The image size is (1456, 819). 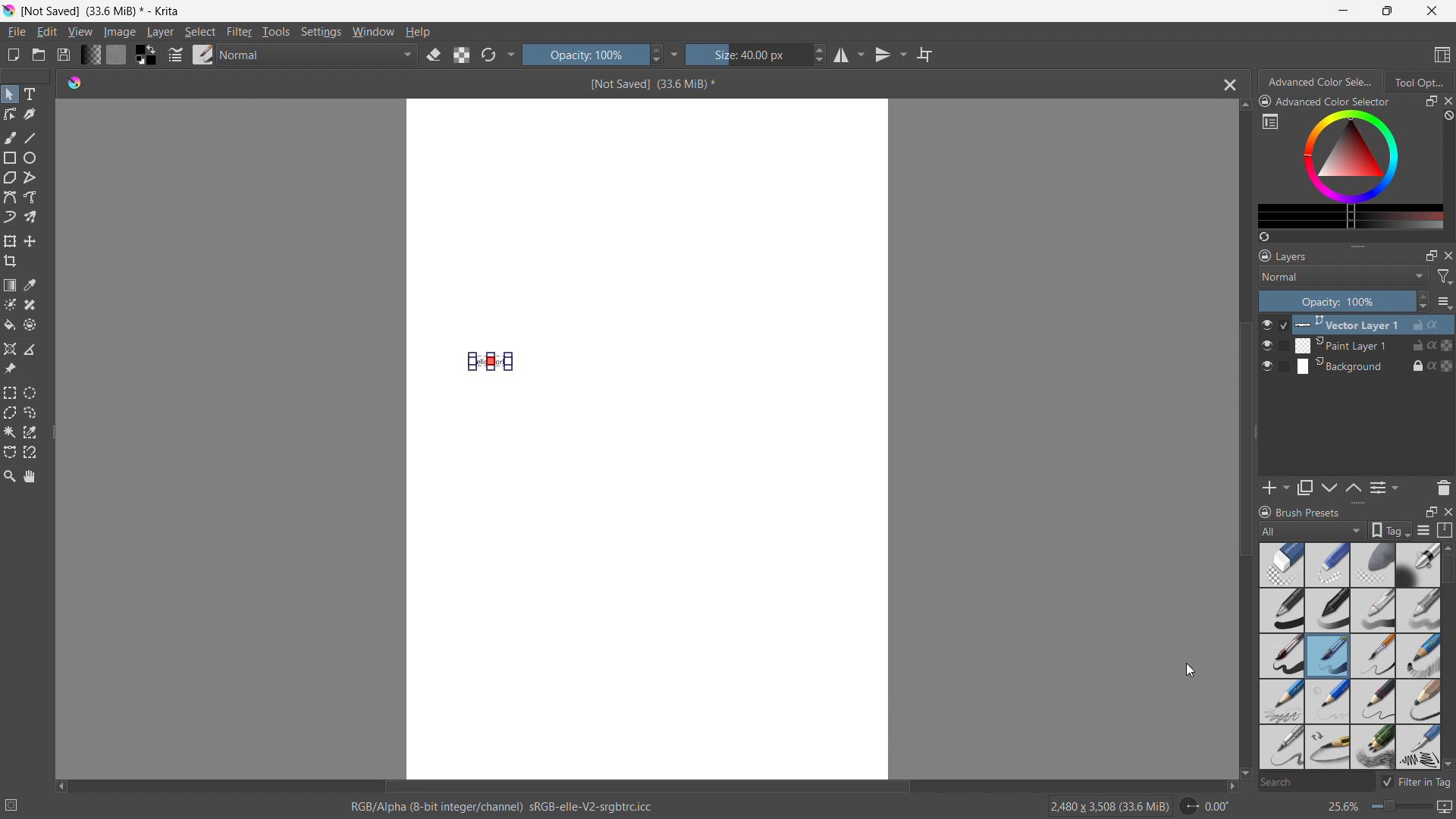 I want to click on Vector Layer 1, so click(x=1366, y=324).